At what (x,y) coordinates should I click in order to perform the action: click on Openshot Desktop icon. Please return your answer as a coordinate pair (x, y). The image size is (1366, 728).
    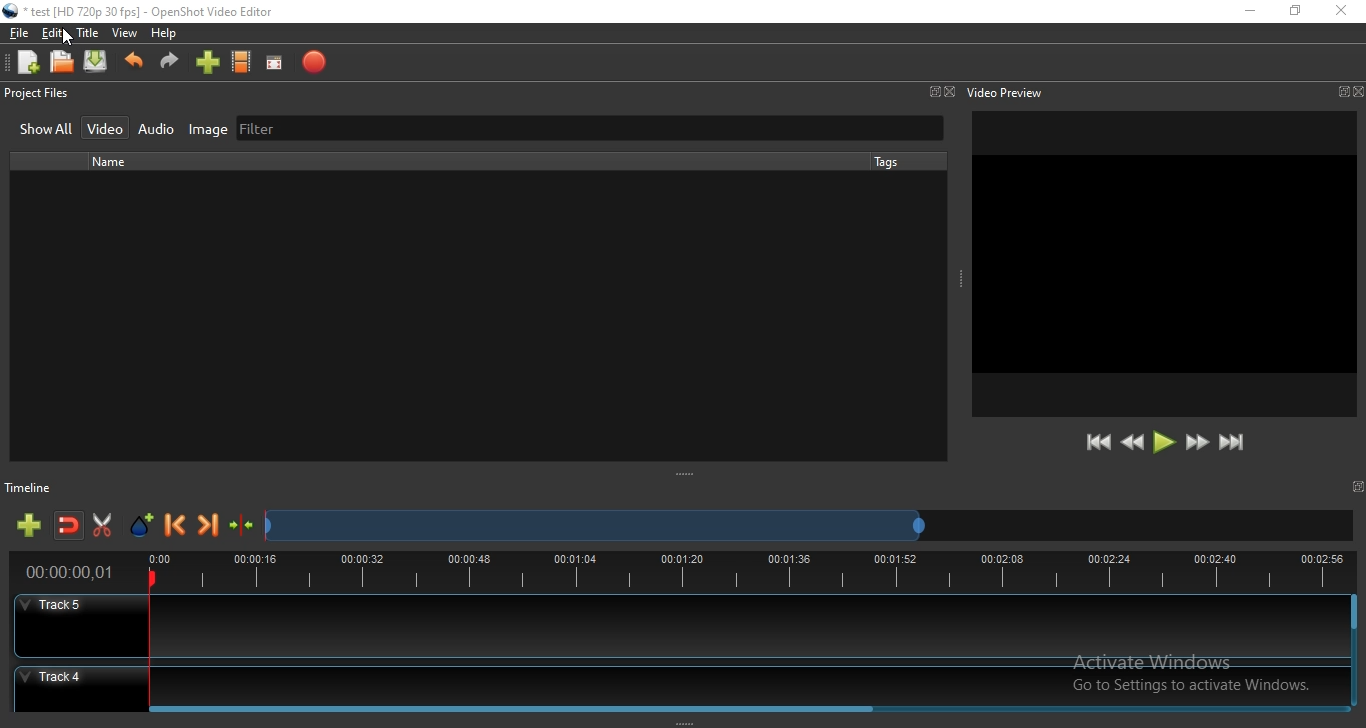
    Looking at the image, I should click on (11, 11).